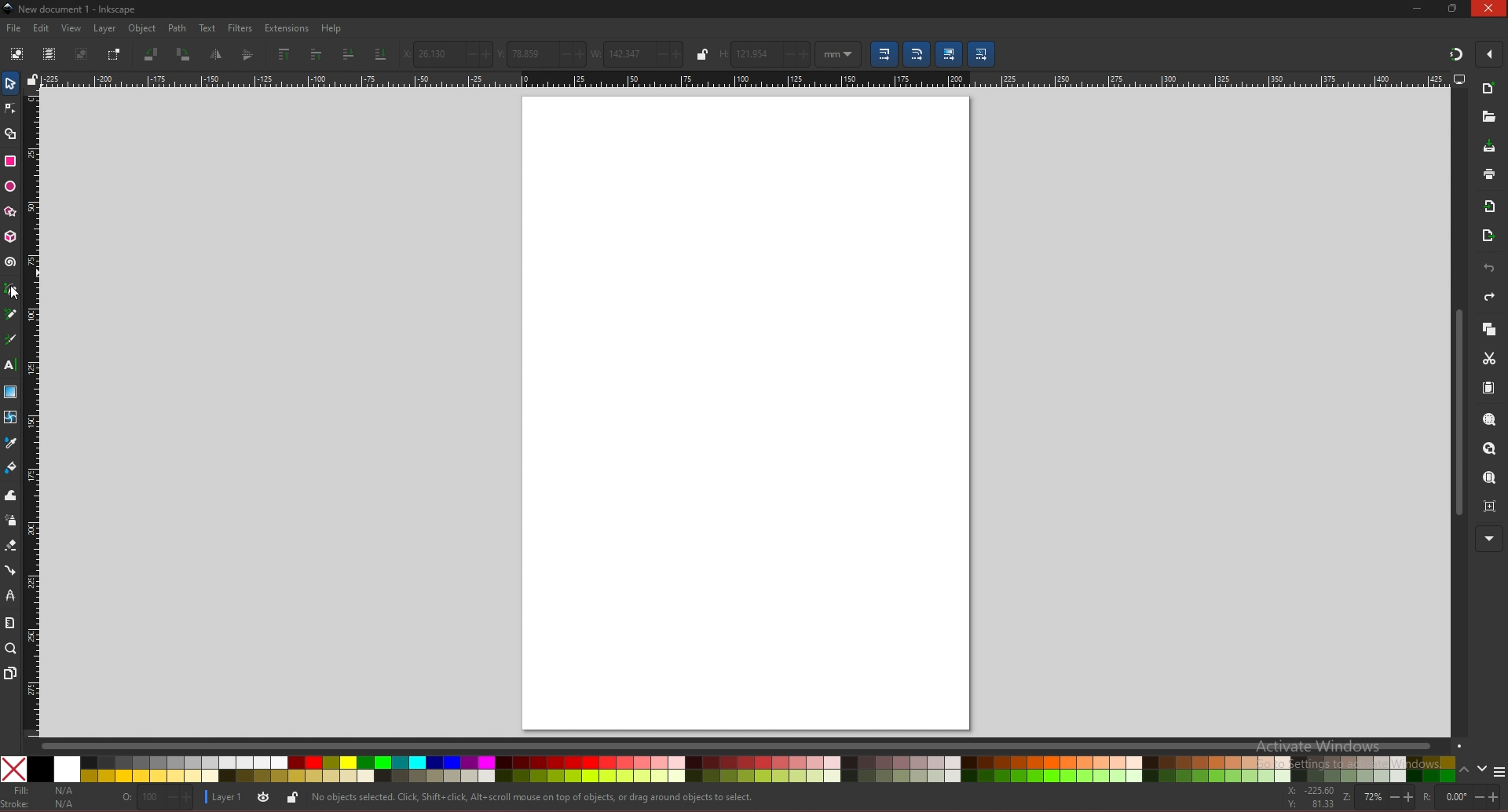 This screenshot has height=812, width=1508. Describe the element at coordinates (11, 495) in the screenshot. I see `tweak` at that location.